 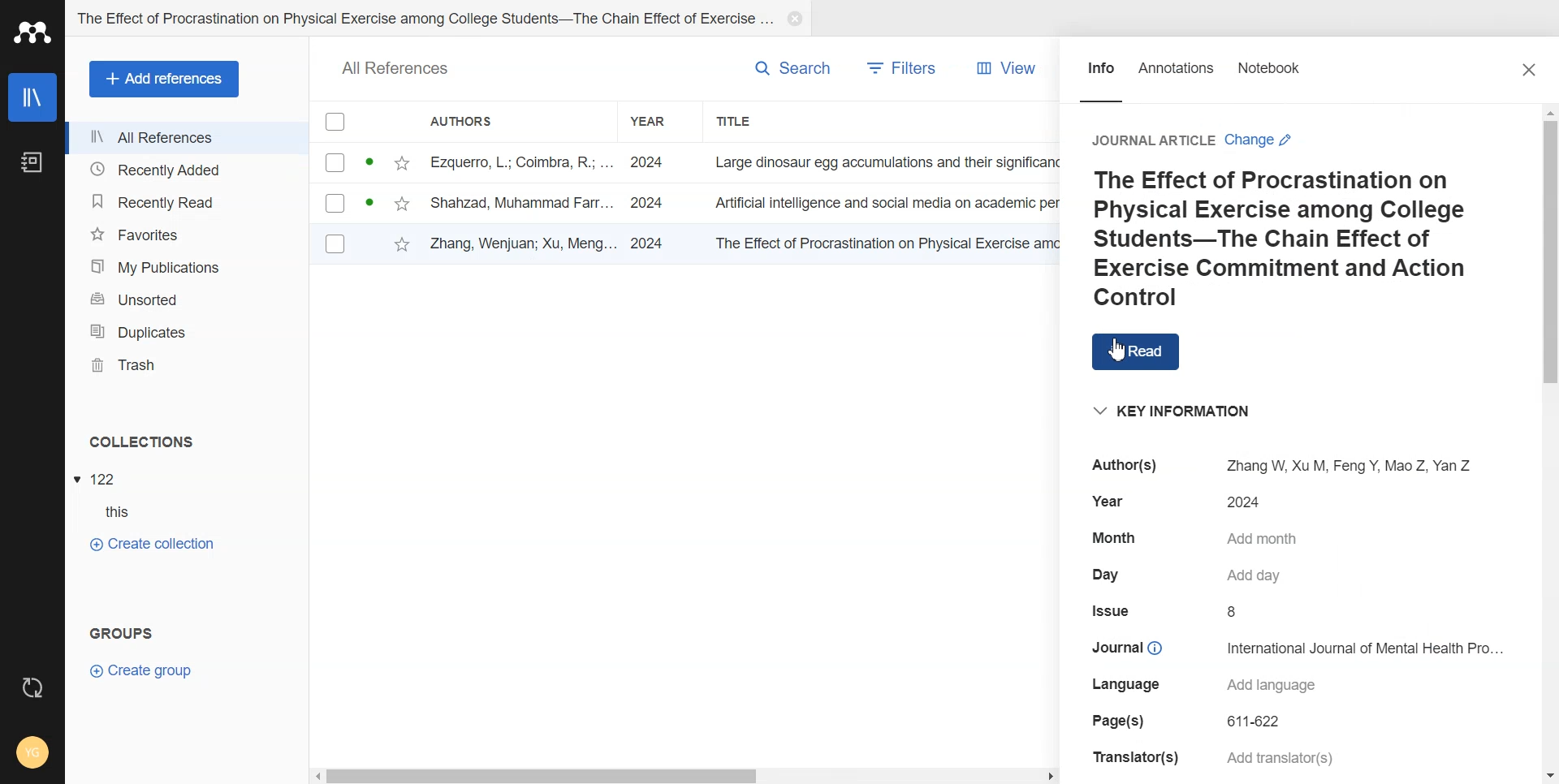 What do you see at coordinates (190, 234) in the screenshot?
I see `Favorites` at bounding box center [190, 234].